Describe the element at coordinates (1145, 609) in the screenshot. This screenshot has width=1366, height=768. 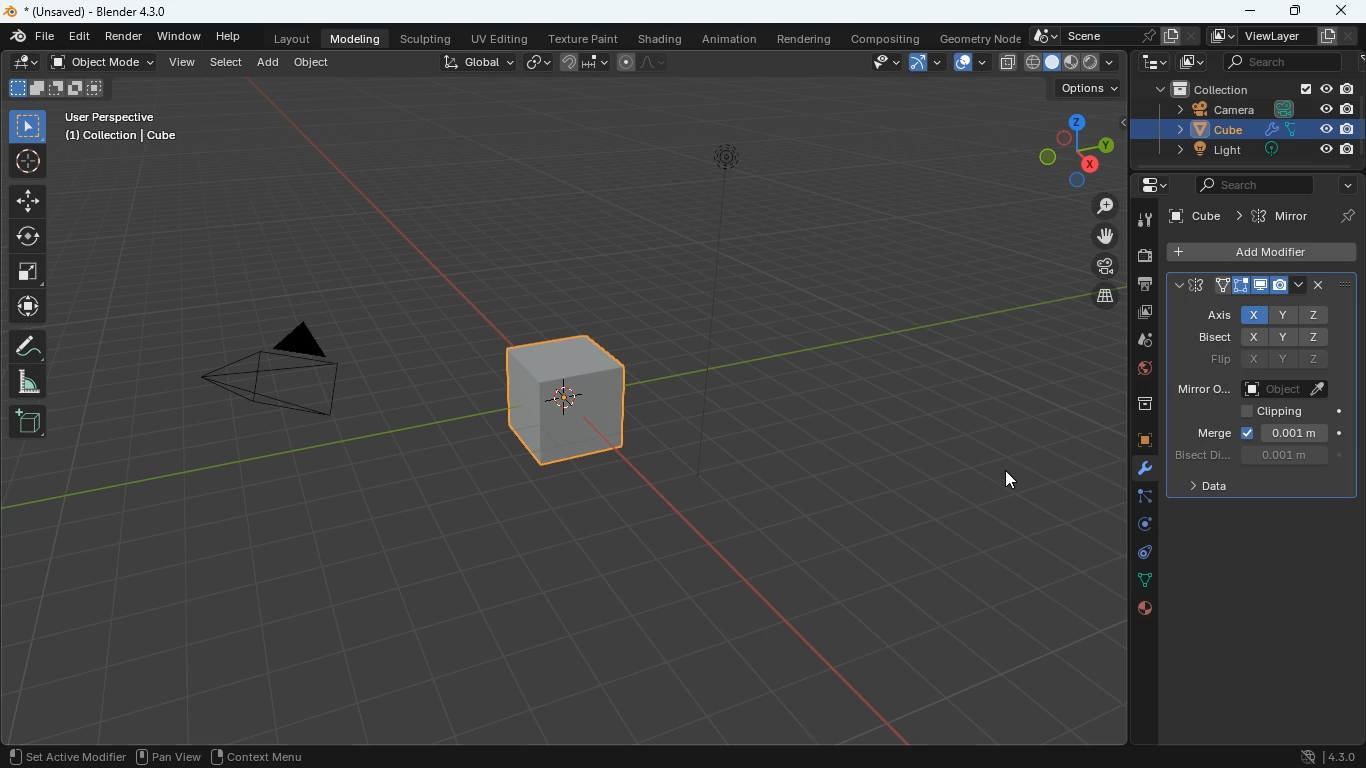
I see `public` at that location.